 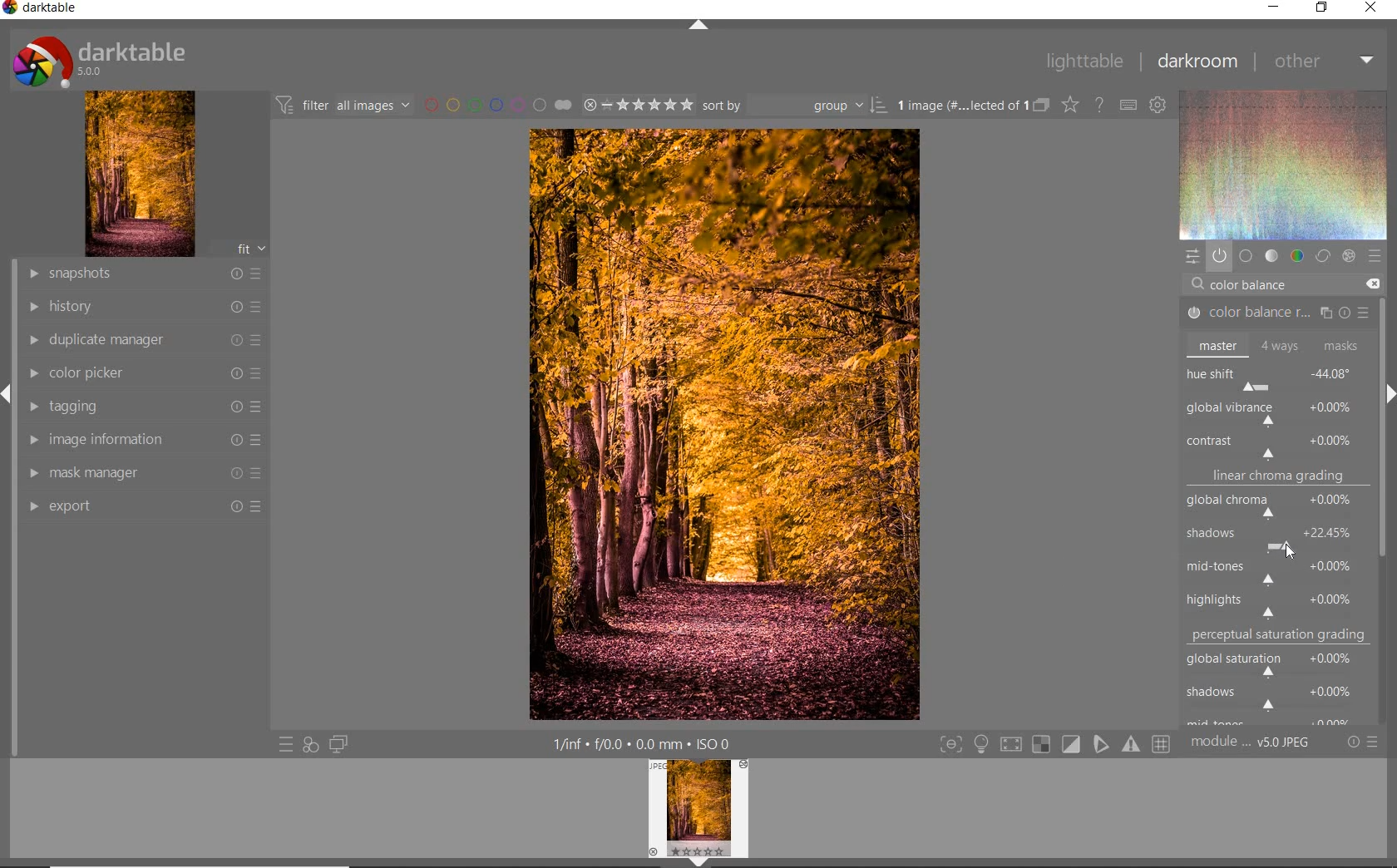 What do you see at coordinates (335, 744) in the screenshot?
I see `display a second darkroom image window` at bounding box center [335, 744].